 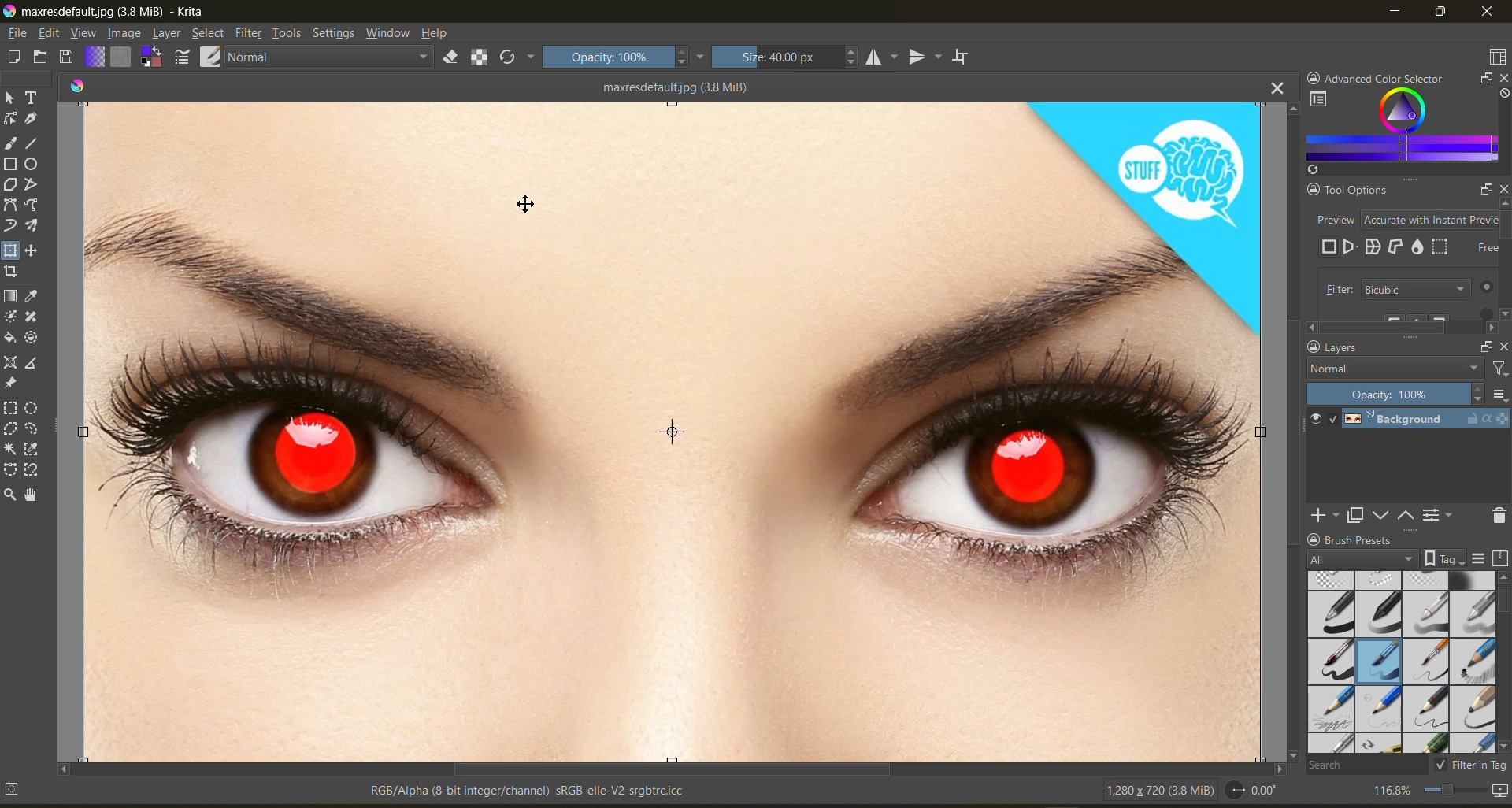 I want to click on swap foreground and background color, so click(x=153, y=57).